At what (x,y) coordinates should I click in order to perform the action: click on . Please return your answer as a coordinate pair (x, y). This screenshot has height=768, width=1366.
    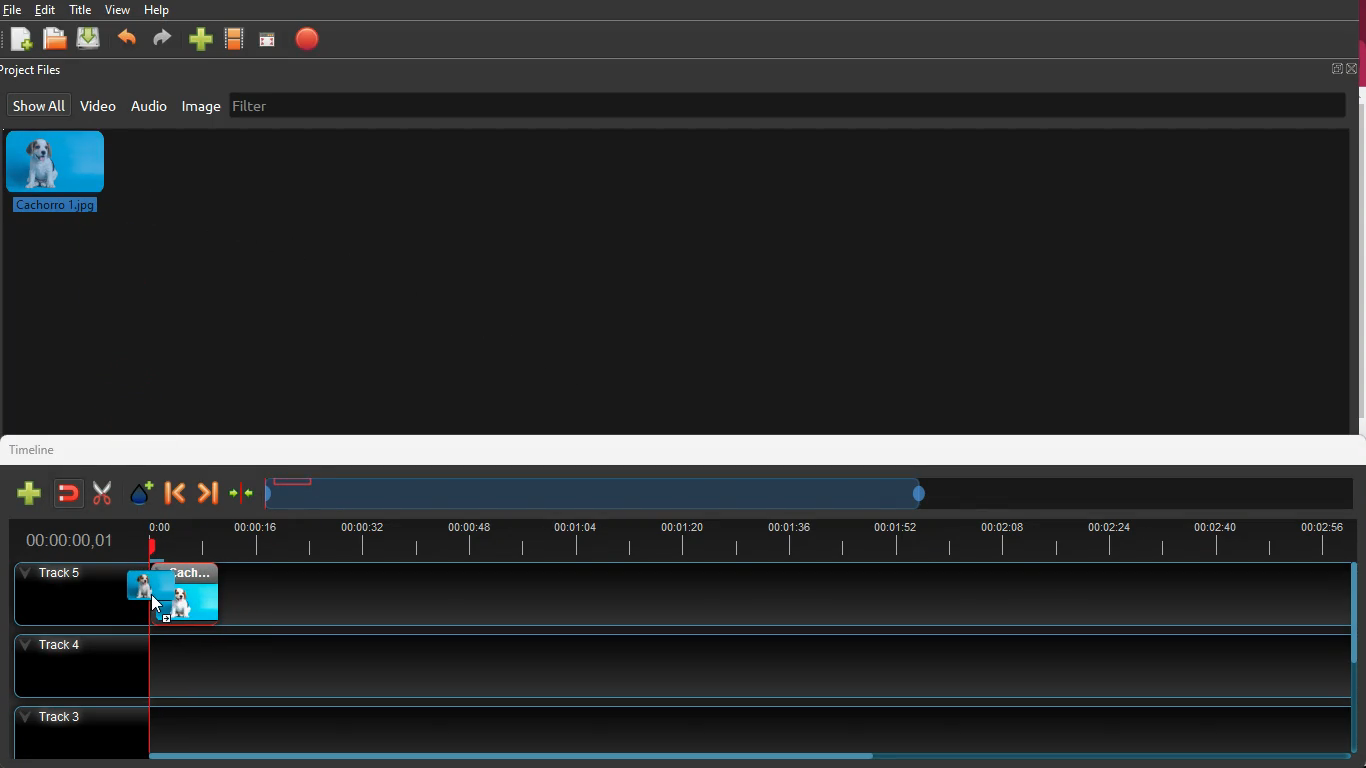
    Looking at the image, I should click on (67, 594).